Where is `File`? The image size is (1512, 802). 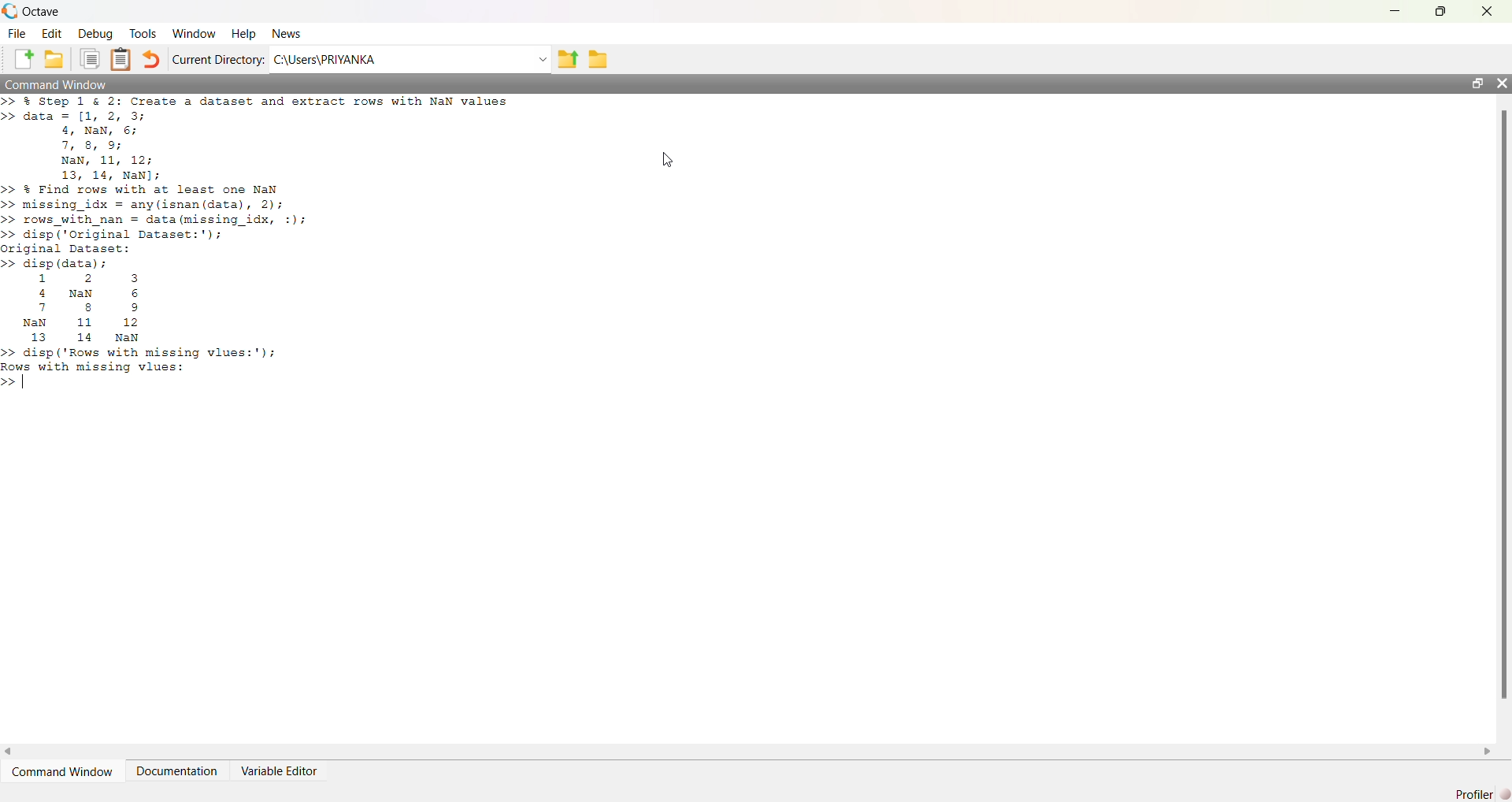
File is located at coordinates (17, 34).